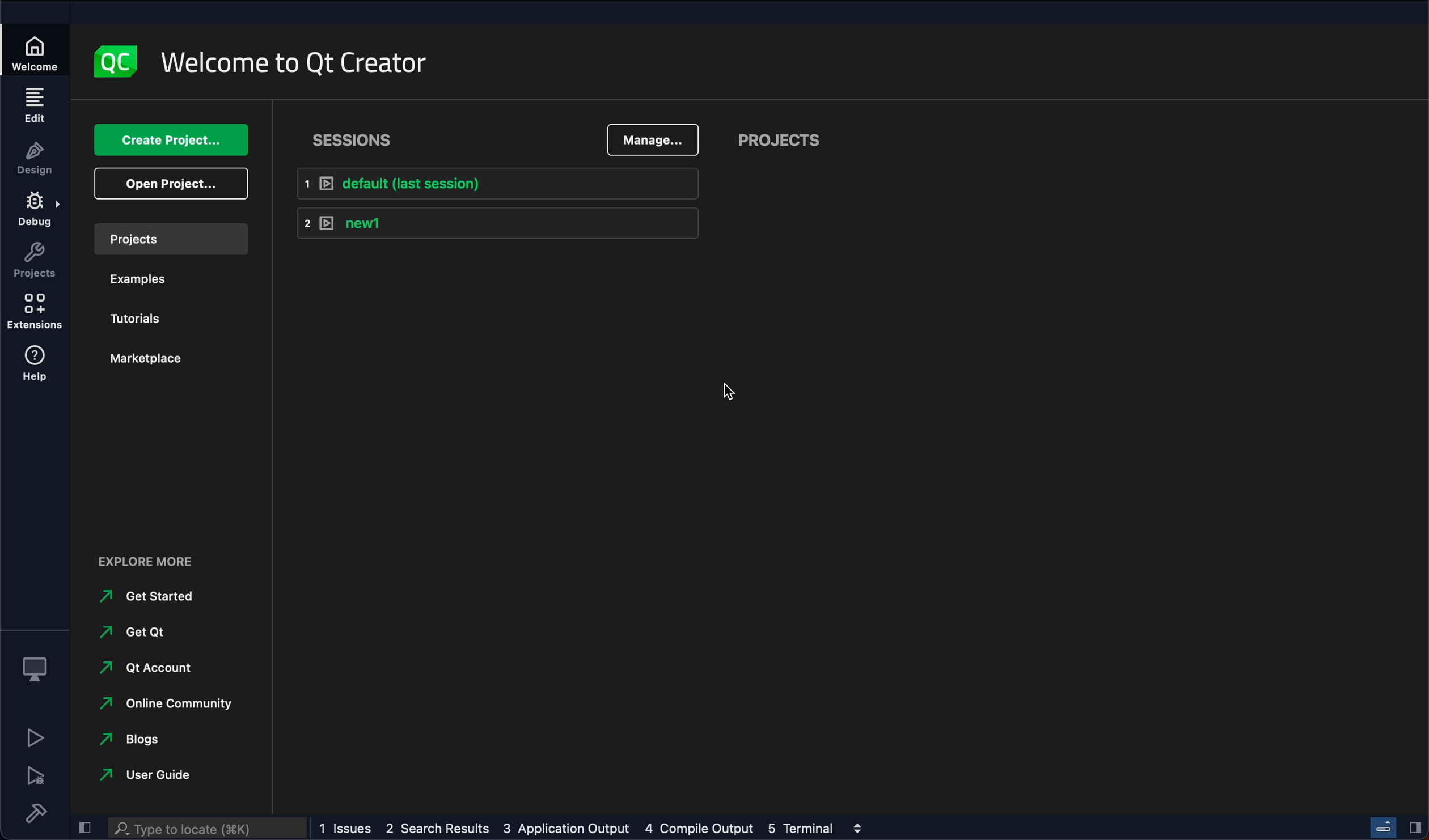 This screenshot has height=840, width=1429. I want to click on help, so click(39, 369).